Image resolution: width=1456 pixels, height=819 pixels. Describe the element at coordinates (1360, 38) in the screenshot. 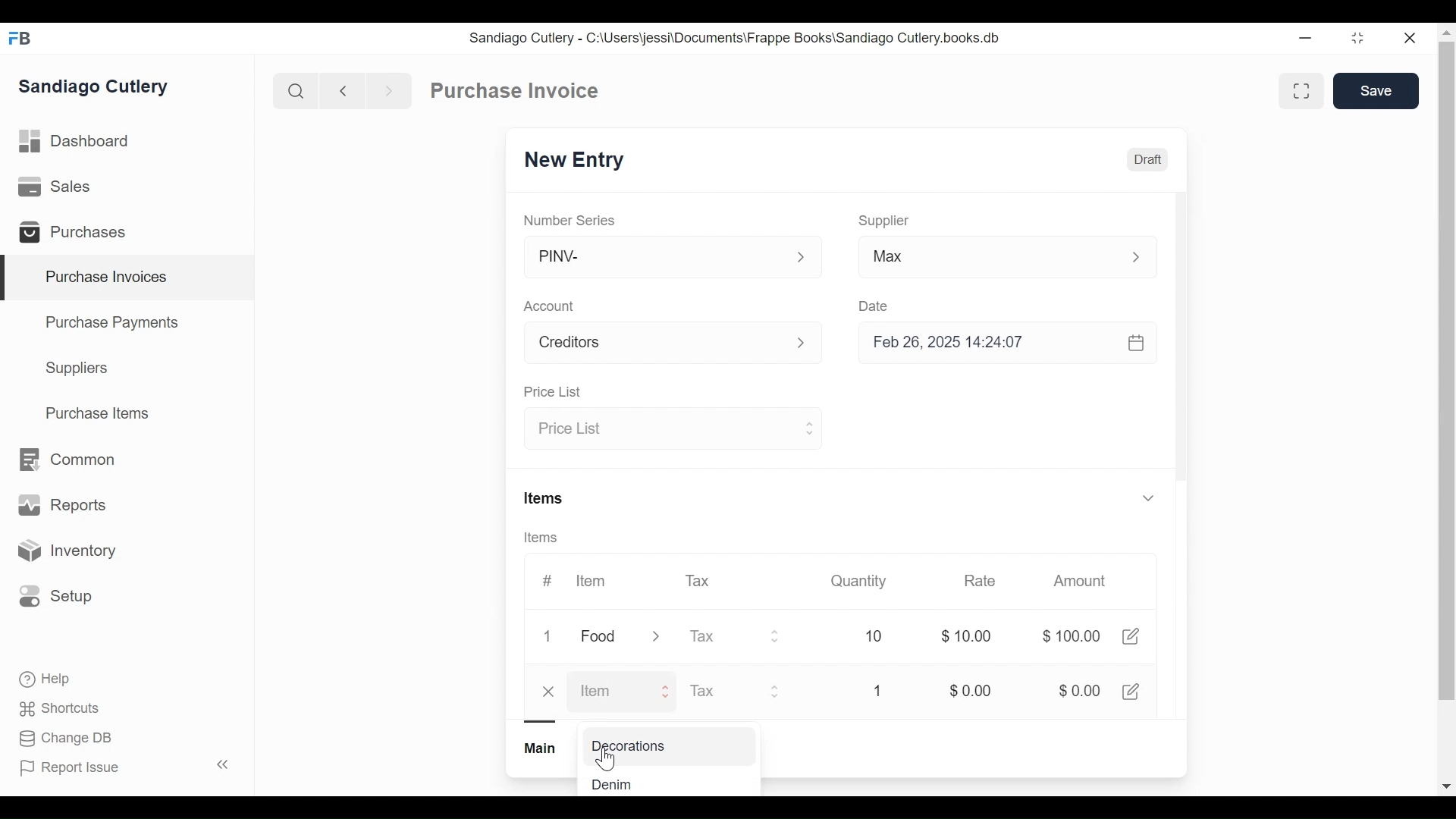

I see `restore` at that location.